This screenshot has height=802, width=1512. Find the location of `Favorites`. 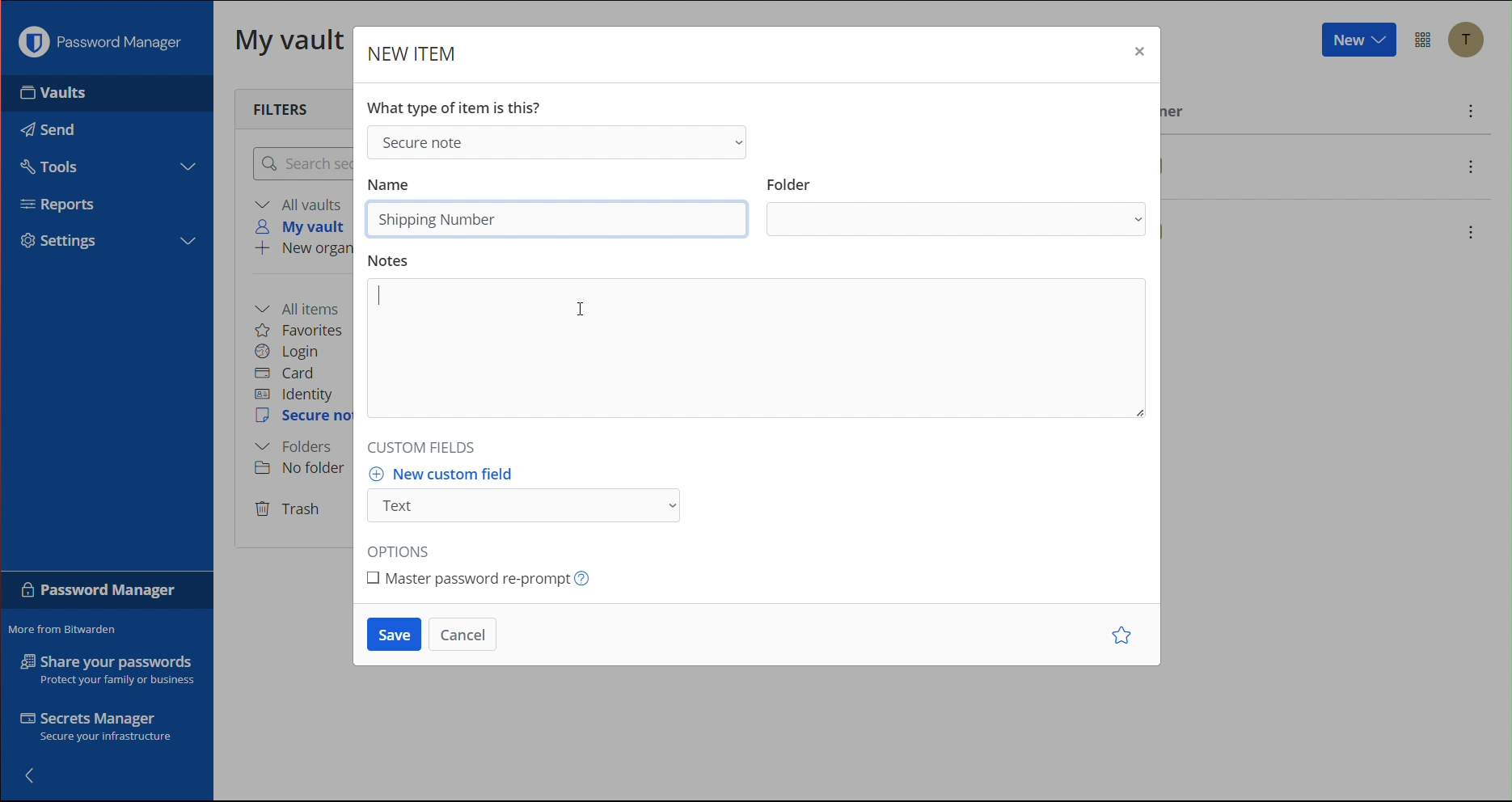

Favorites is located at coordinates (304, 331).